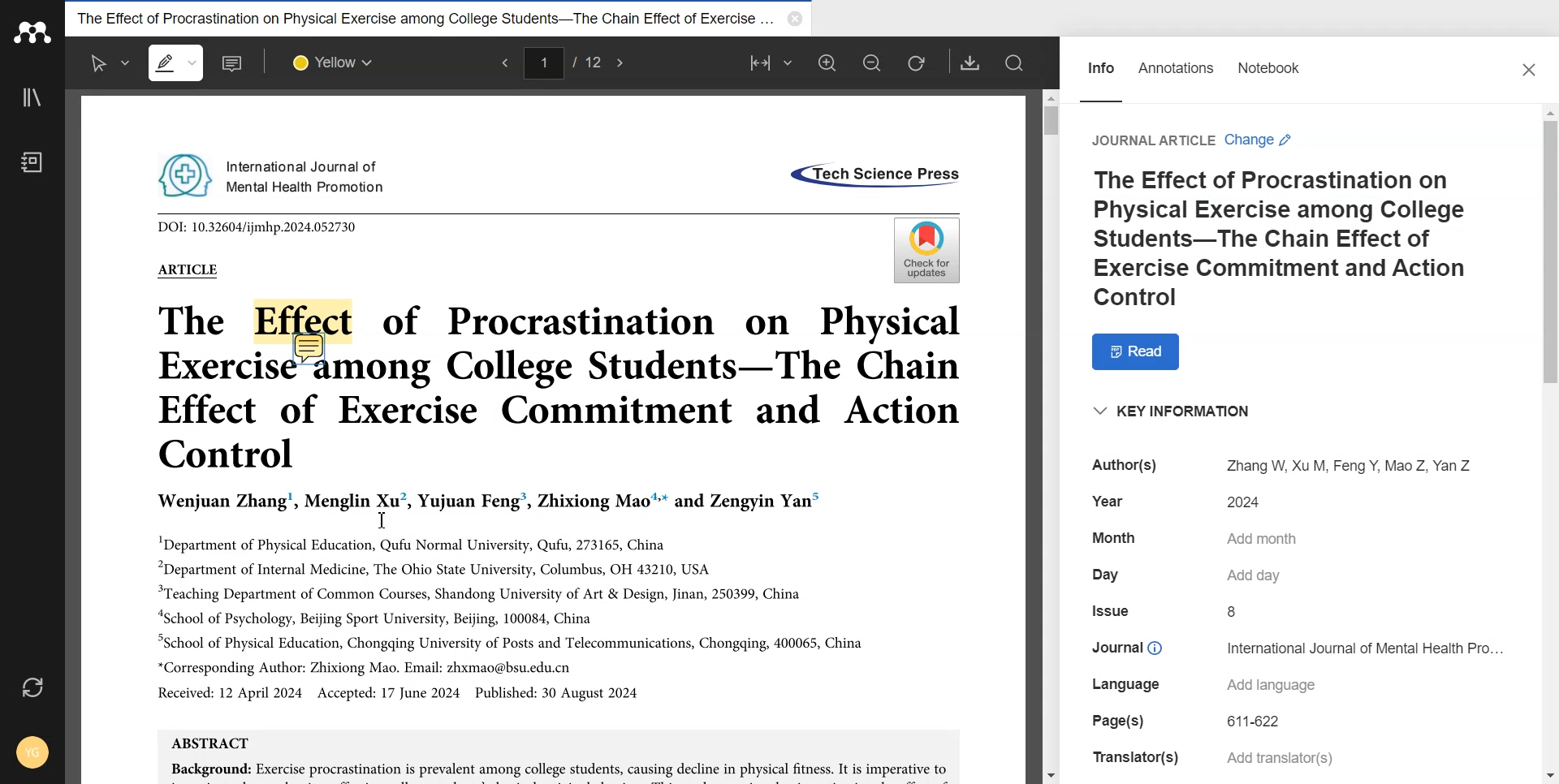 Image resolution: width=1559 pixels, height=784 pixels. What do you see at coordinates (1193, 722) in the screenshot?
I see `Page(s) 611-622` at bounding box center [1193, 722].